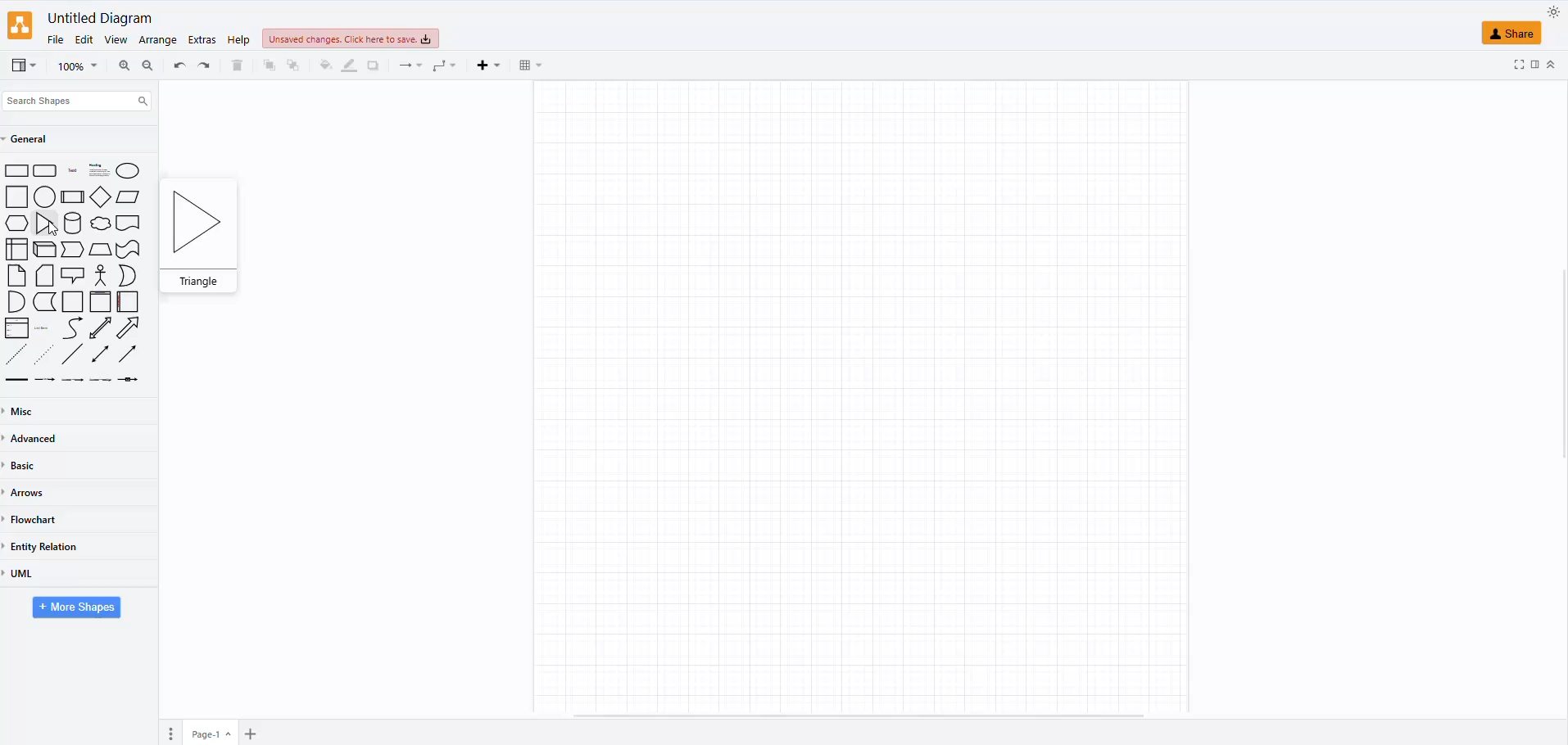 The width and height of the screenshot is (1568, 745). Describe the element at coordinates (73, 302) in the screenshot. I see `Page` at that location.